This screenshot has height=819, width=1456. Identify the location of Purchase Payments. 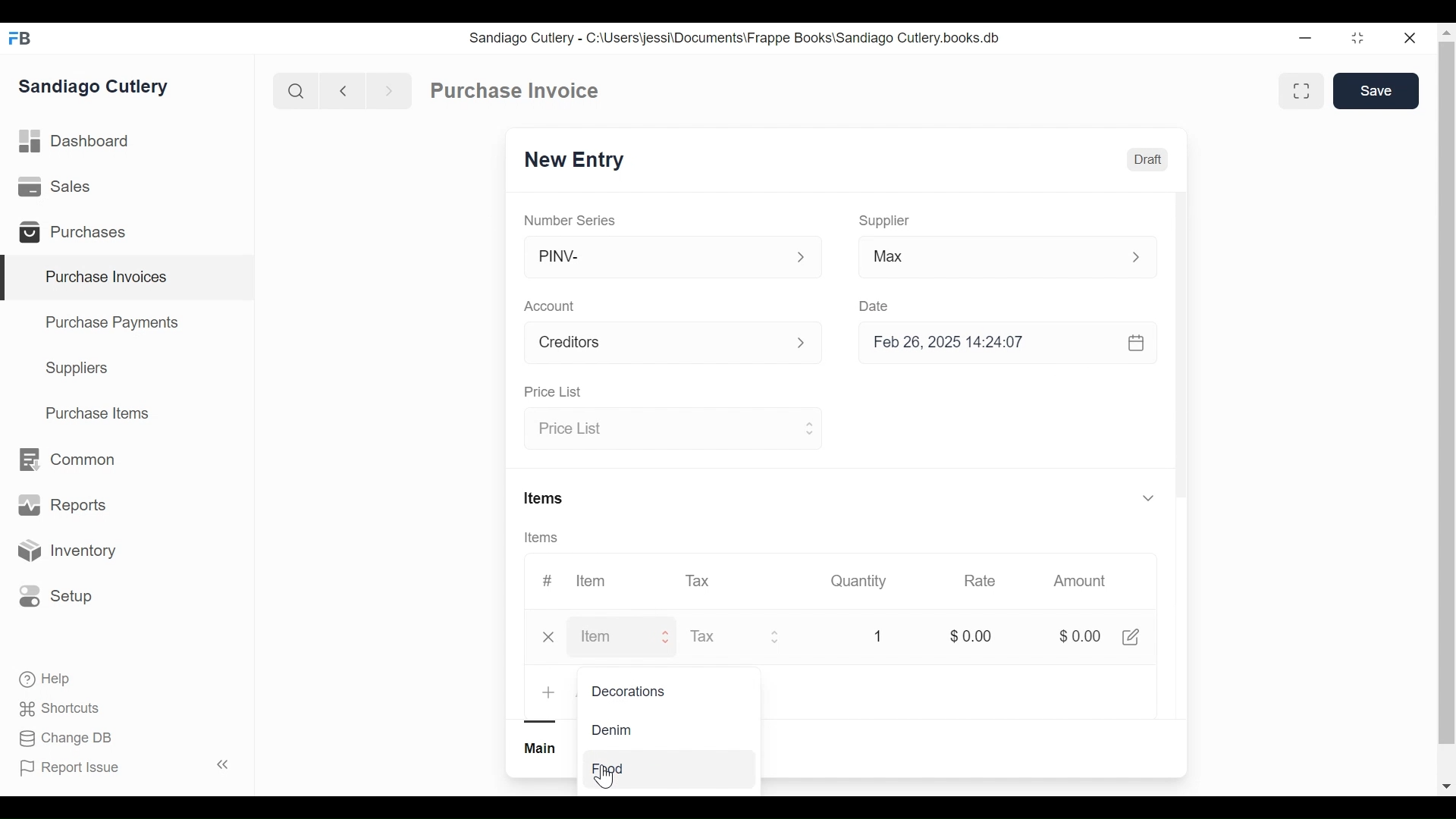
(115, 325).